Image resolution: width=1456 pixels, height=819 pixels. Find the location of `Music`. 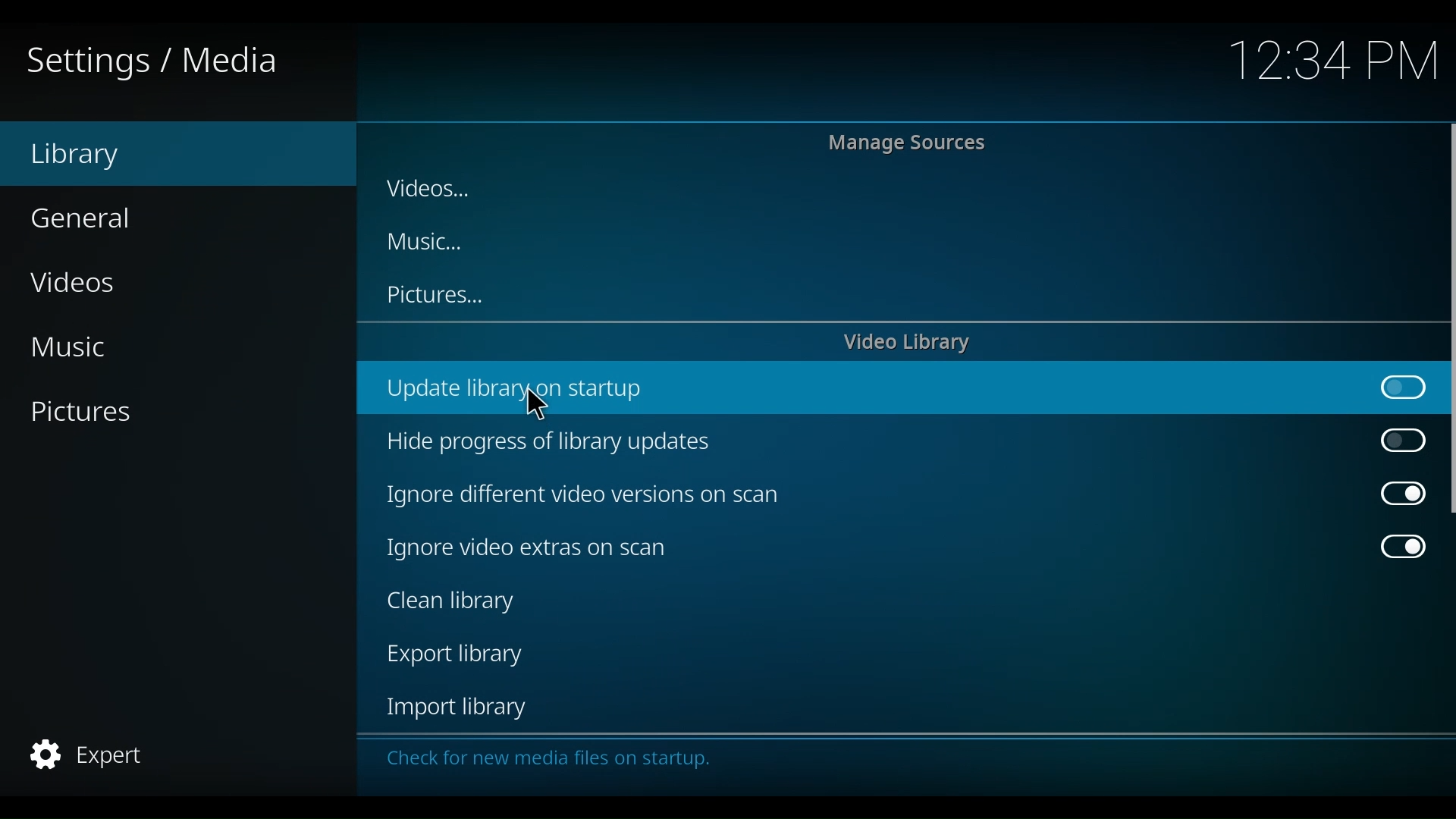

Music is located at coordinates (429, 242).